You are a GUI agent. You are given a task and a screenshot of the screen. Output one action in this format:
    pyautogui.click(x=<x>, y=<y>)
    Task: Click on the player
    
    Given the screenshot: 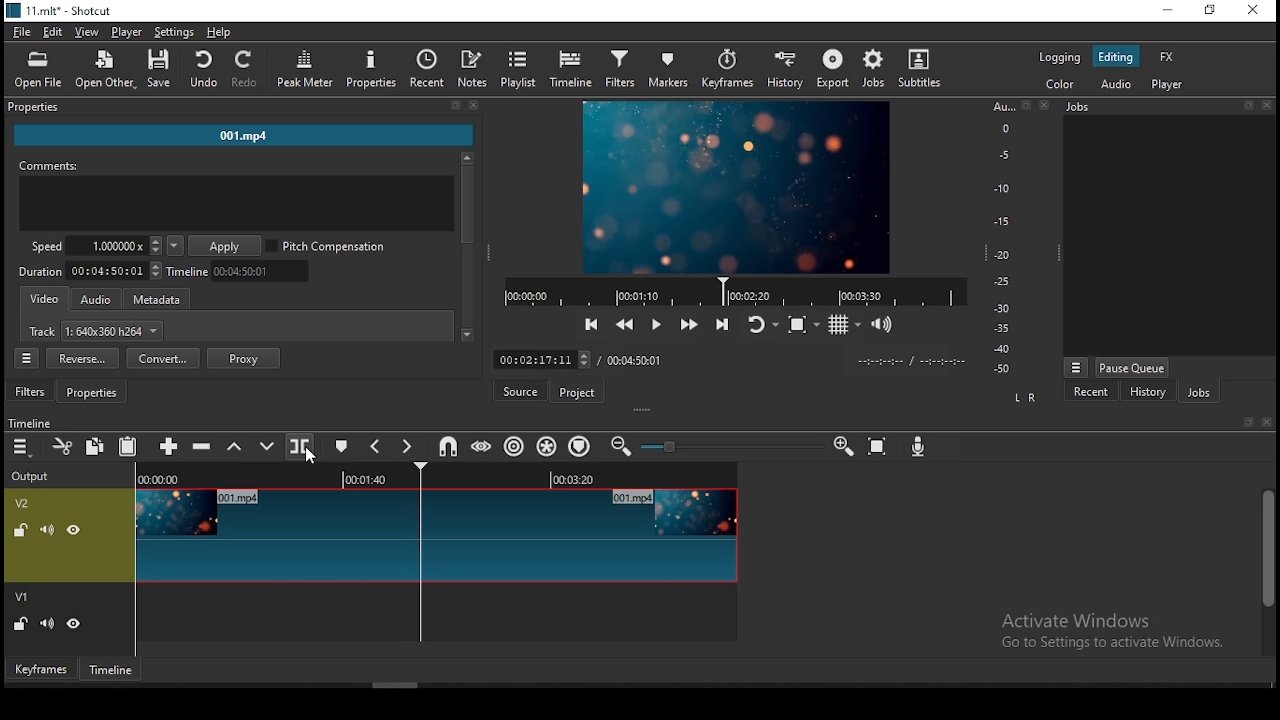 What is the action you would take?
    pyautogui.click(x=131, y=33)
    